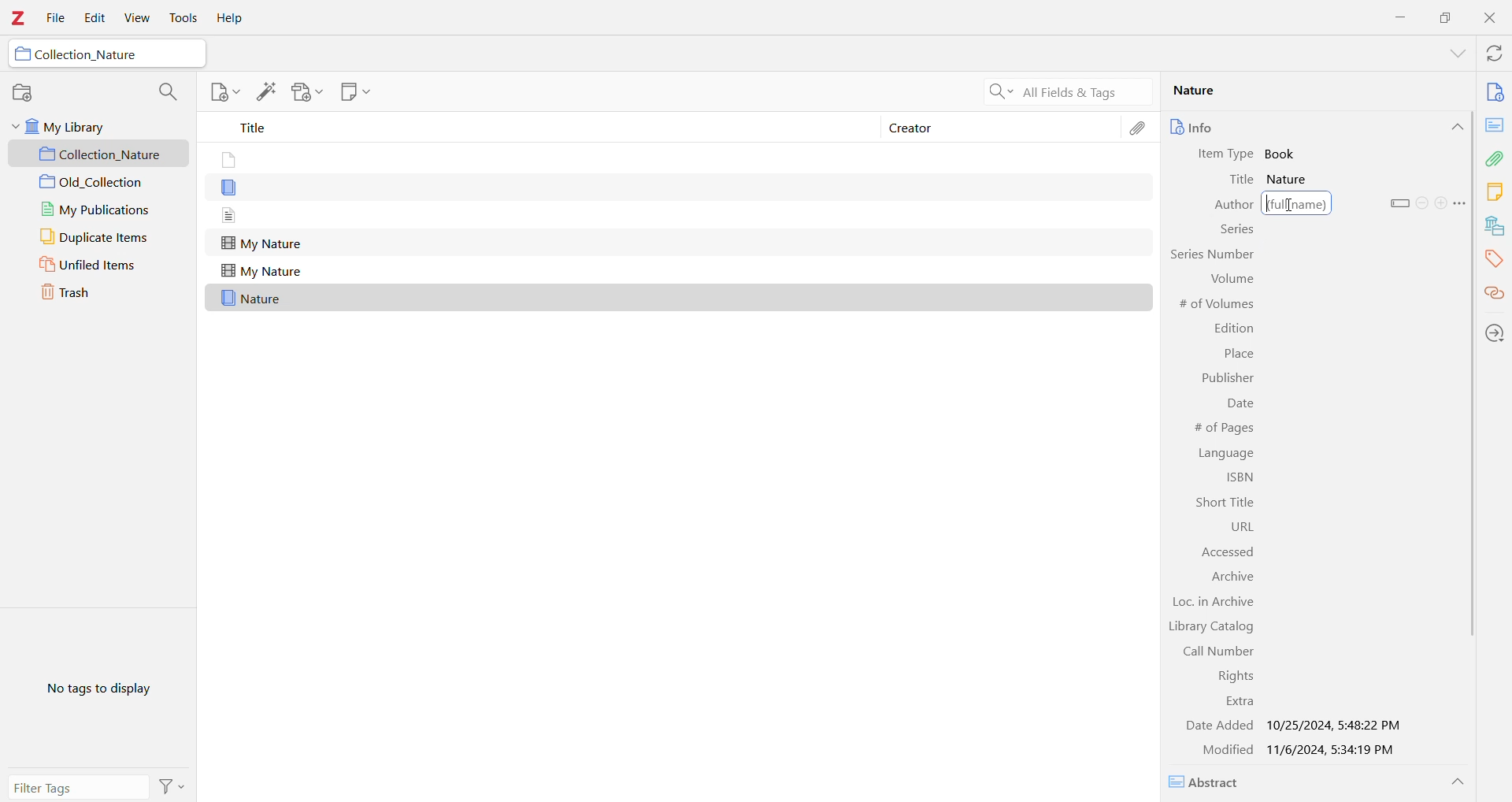 The image size is (1512, 802). I want to click on item without title , so click(230, 189).